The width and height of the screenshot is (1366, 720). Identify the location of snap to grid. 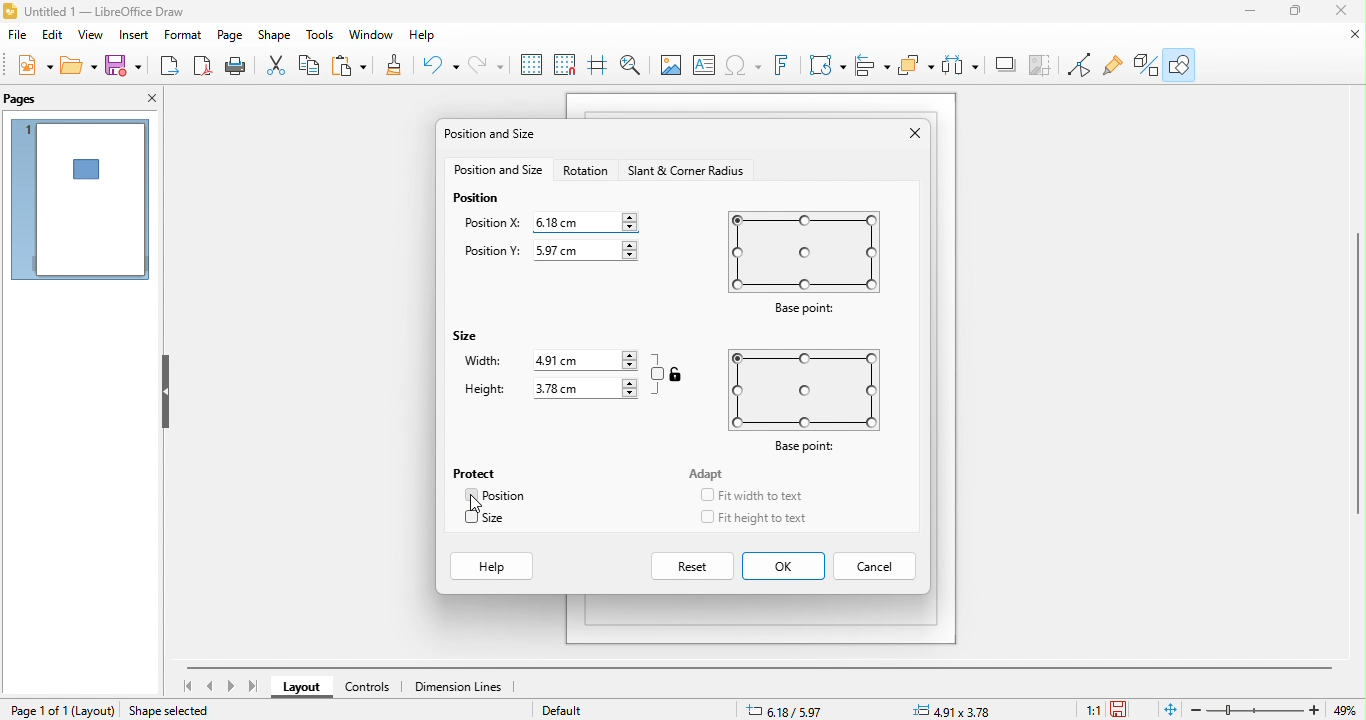
(569, 66).